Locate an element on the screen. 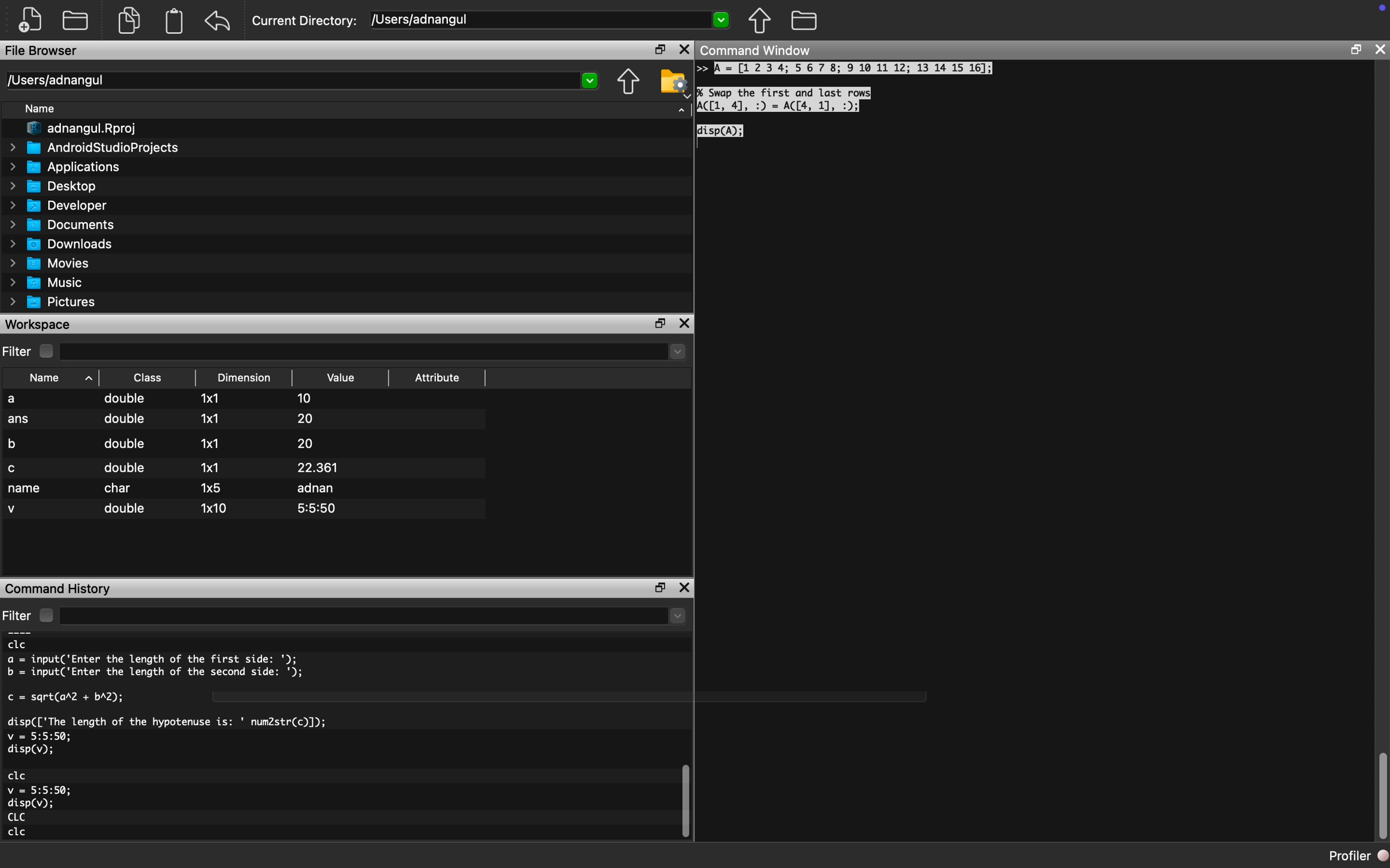 This screenshot has width=1390, height=868. Restore is located at coordinates (658, 49).